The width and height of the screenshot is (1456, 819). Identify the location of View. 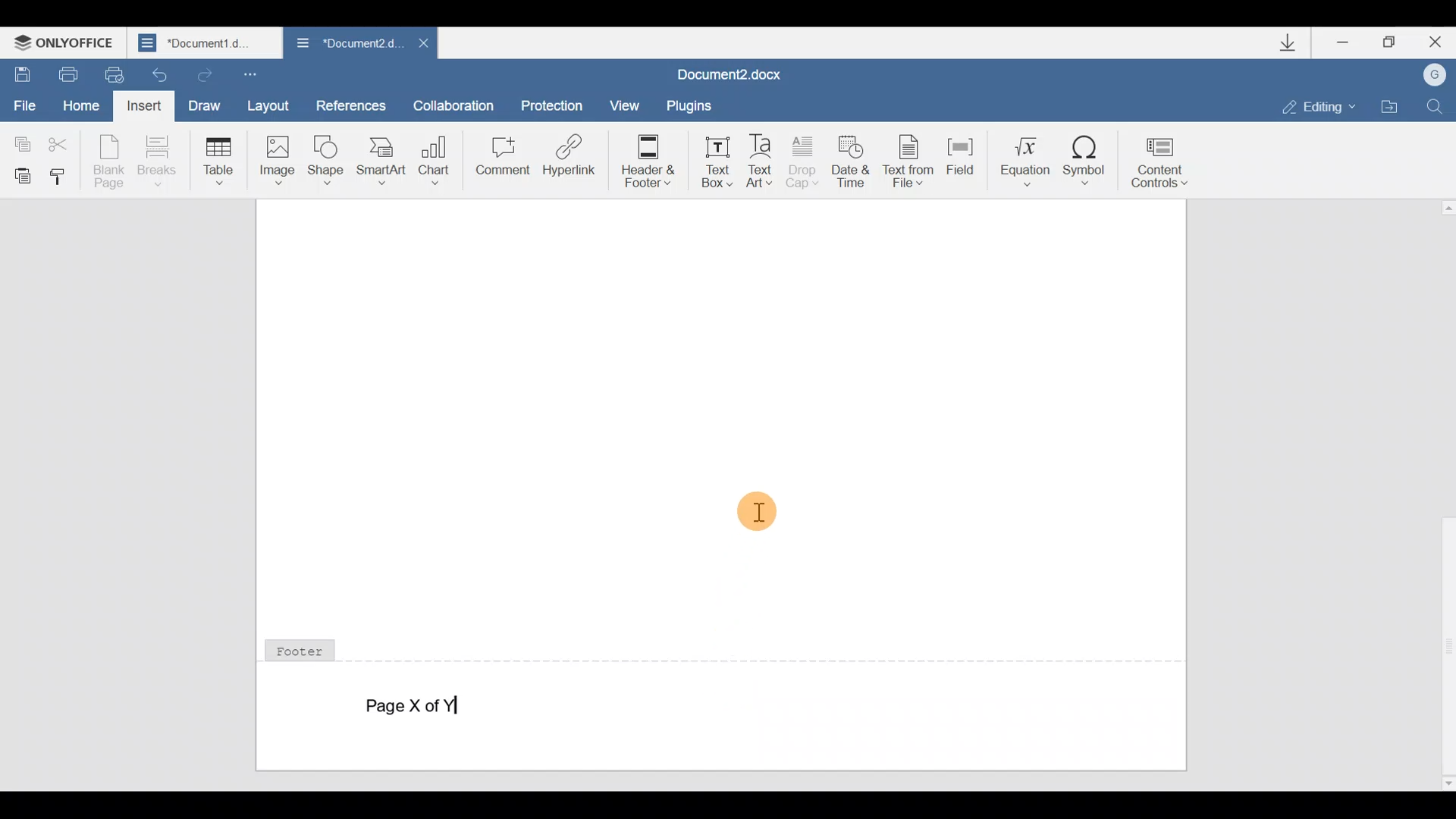
(627, 102).